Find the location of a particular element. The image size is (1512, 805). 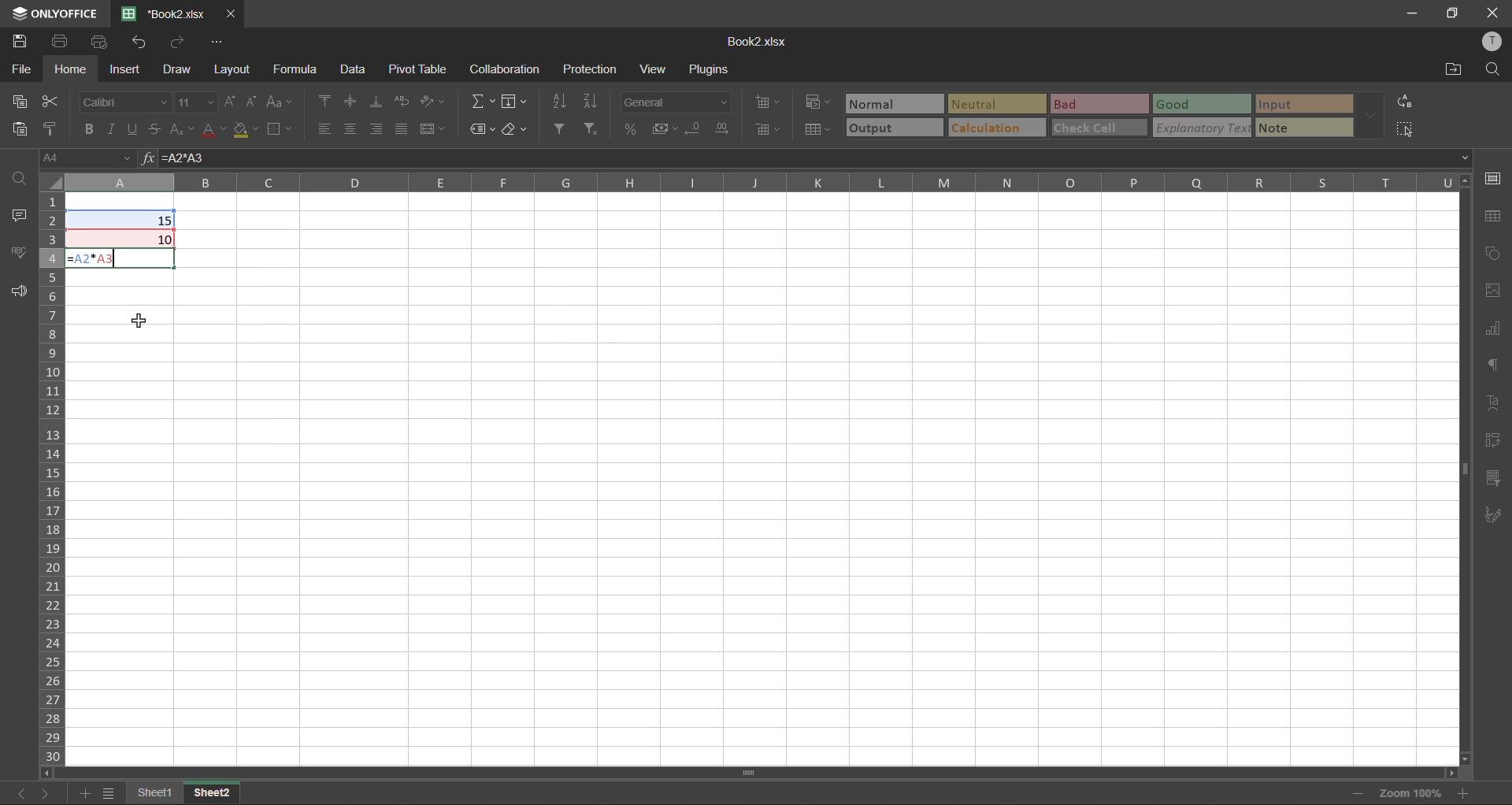

book2.xlsx is located at coordinates (762, 43).